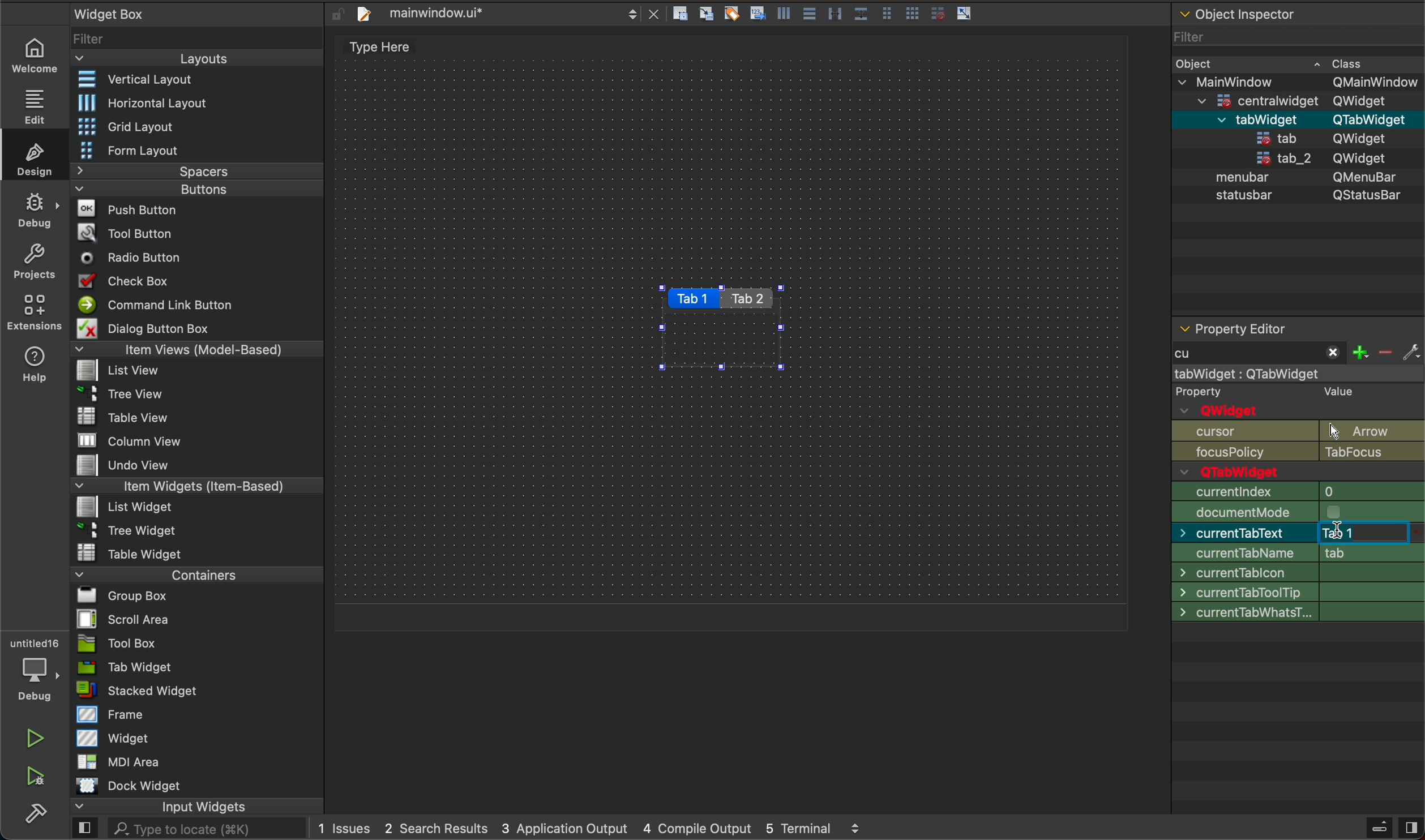  Describe the element at coordinates (1194, 61) in the screenshot. I see `Obiect` at that location.